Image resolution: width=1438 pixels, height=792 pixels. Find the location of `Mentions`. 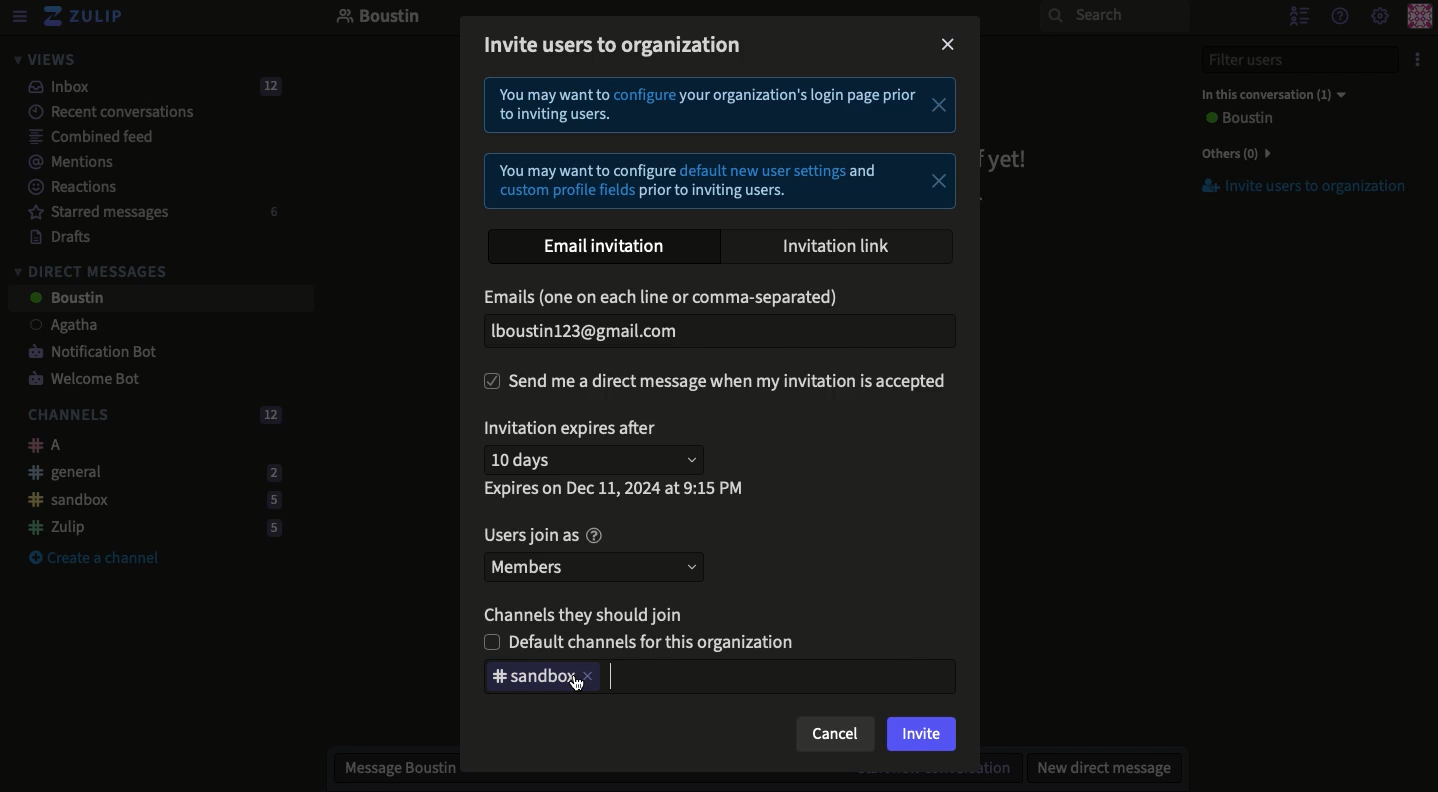

Mentions is located at coordinates (64, 162).